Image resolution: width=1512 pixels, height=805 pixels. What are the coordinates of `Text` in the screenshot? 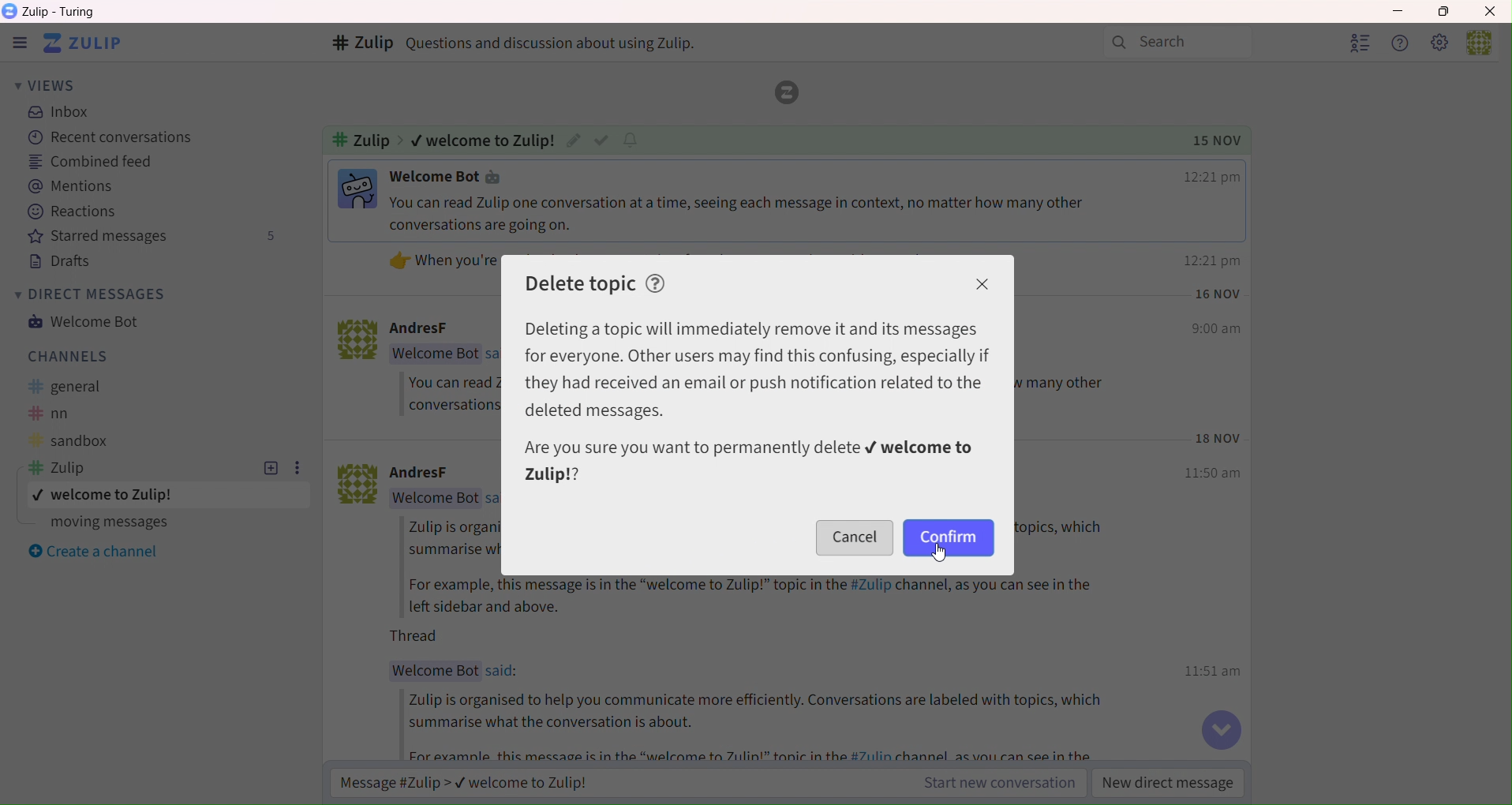 It's located at (562, 43).